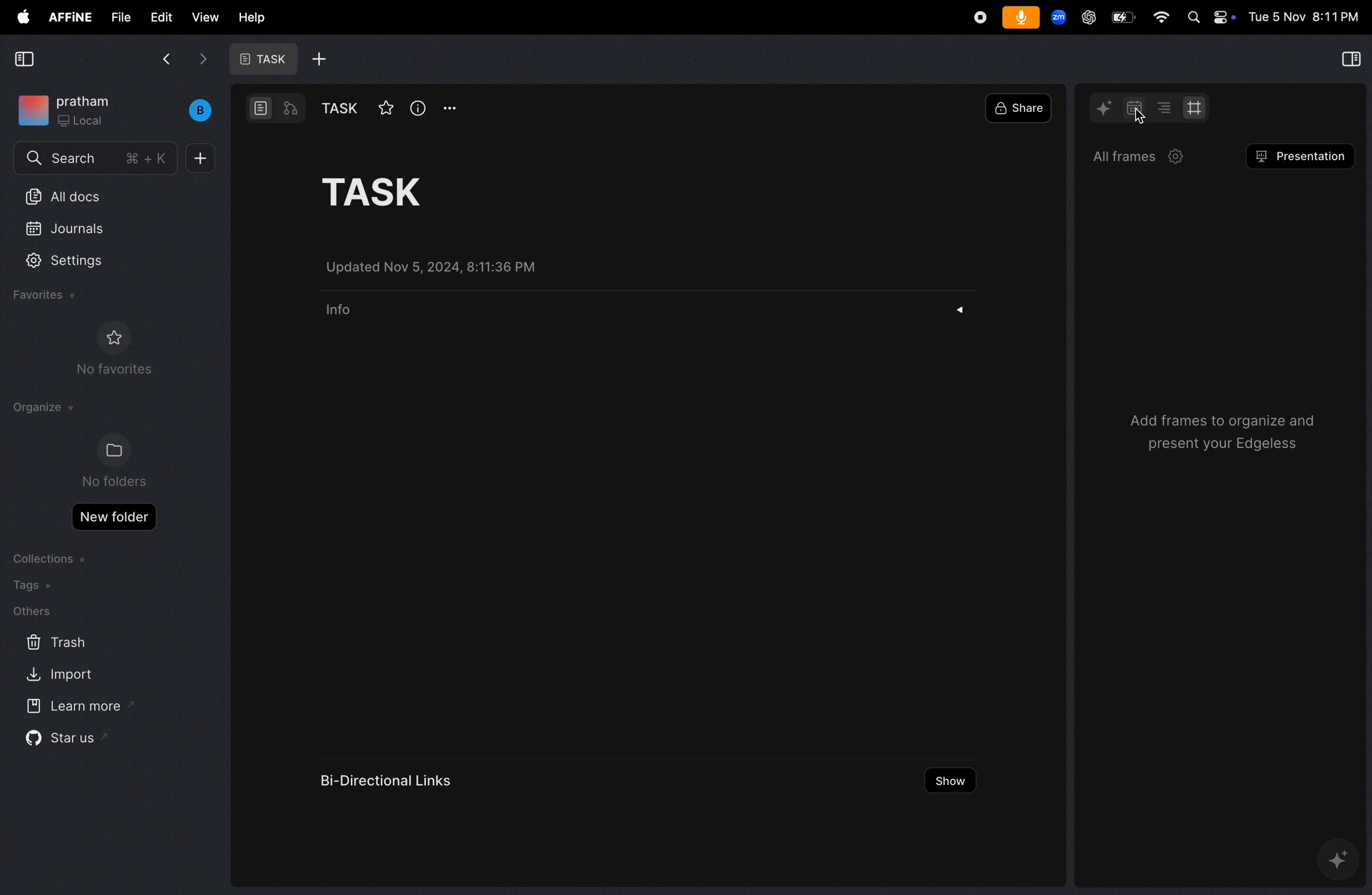 The width and height of the screenshot is (1372, 895). Describe the element at coordinates (1162, 107) in the screenshot. I see `list` at that location.